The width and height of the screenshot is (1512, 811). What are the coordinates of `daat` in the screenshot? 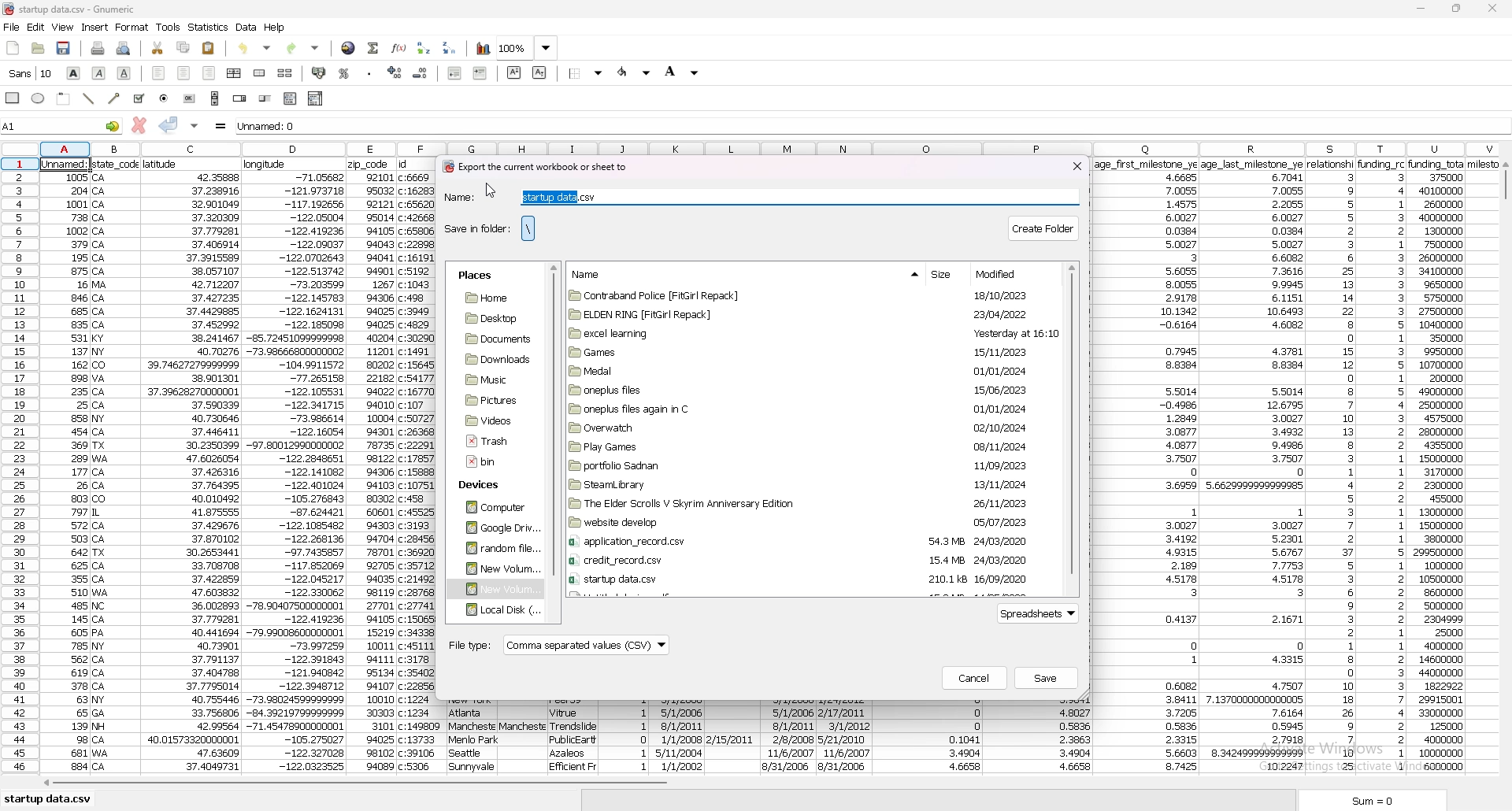 It's located at (523, 734).